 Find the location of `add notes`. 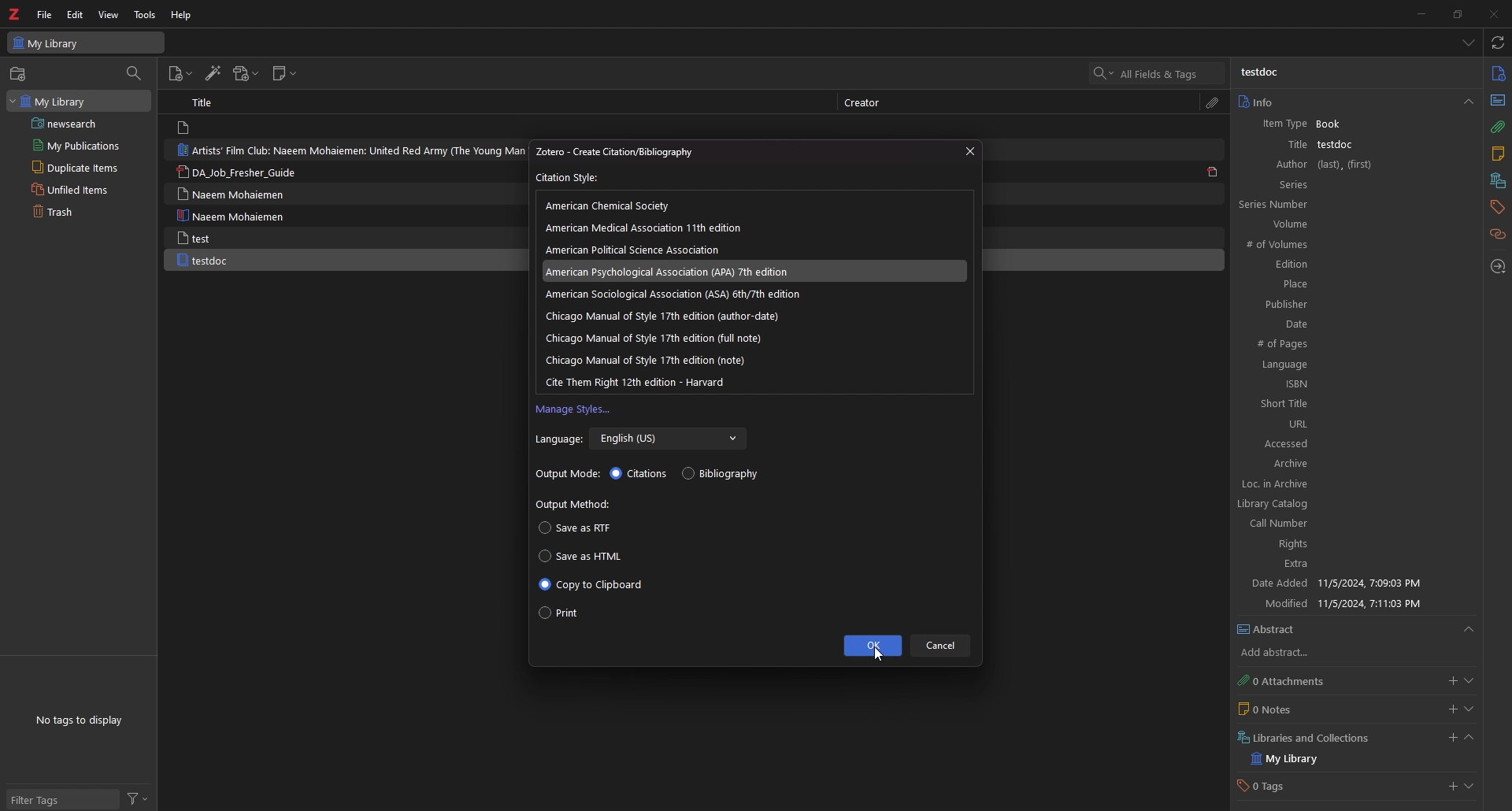

add notes is located at coordinates (1452, 709).